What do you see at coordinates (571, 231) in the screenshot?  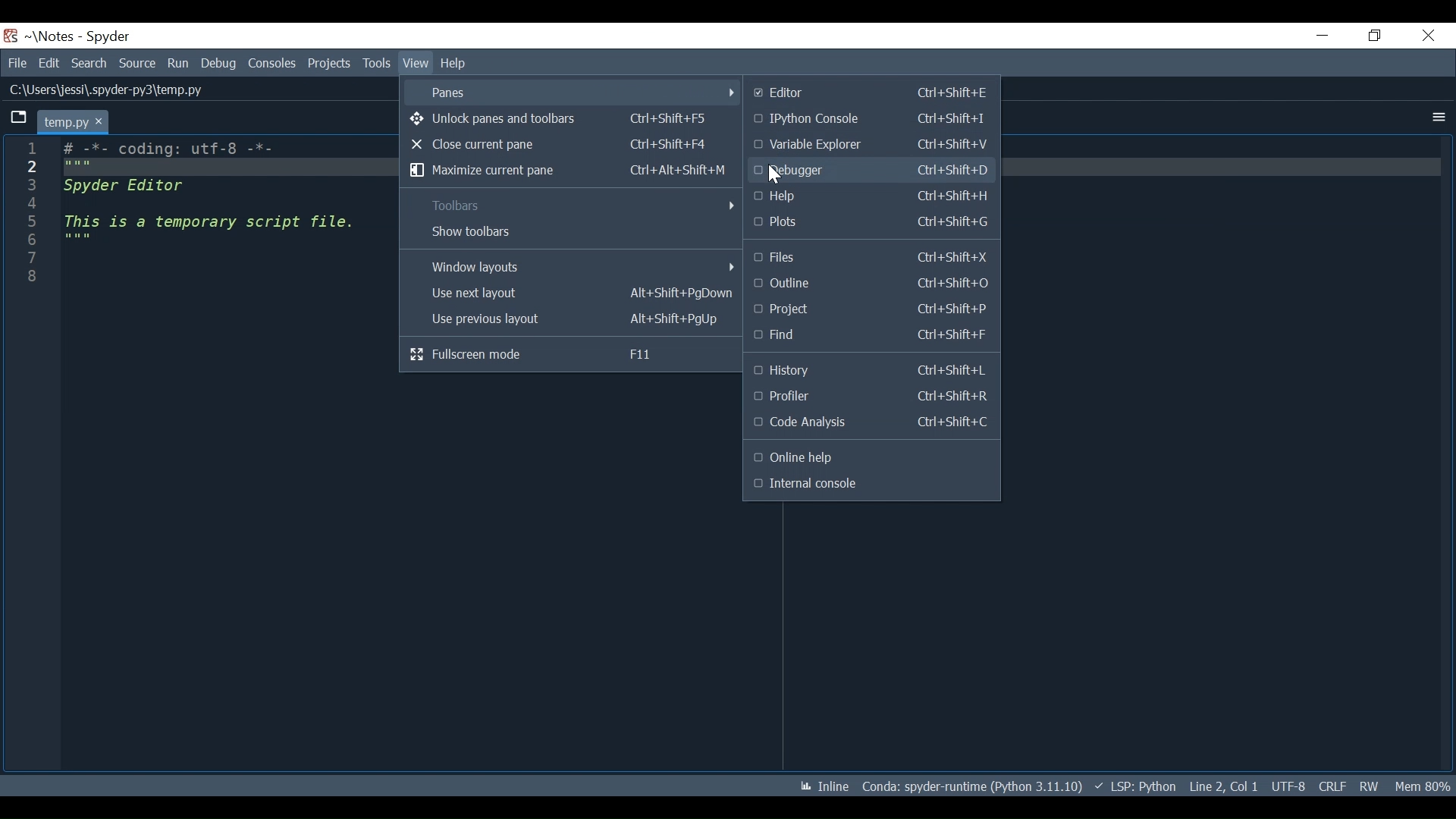 I see `Show toolbars` at bounding box center [571, 231].